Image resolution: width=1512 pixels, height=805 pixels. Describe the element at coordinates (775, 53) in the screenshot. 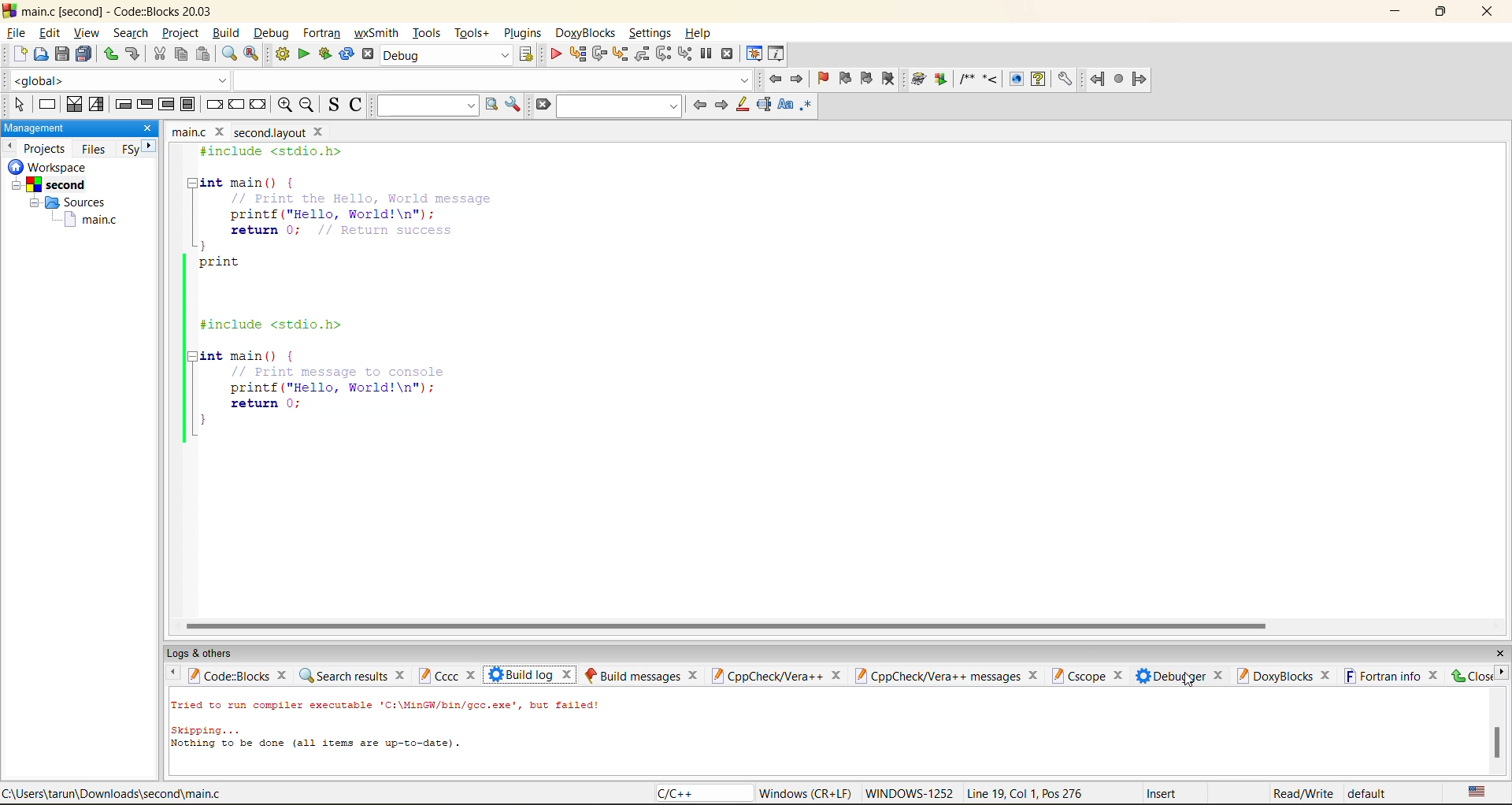

I see `various info` at that location.